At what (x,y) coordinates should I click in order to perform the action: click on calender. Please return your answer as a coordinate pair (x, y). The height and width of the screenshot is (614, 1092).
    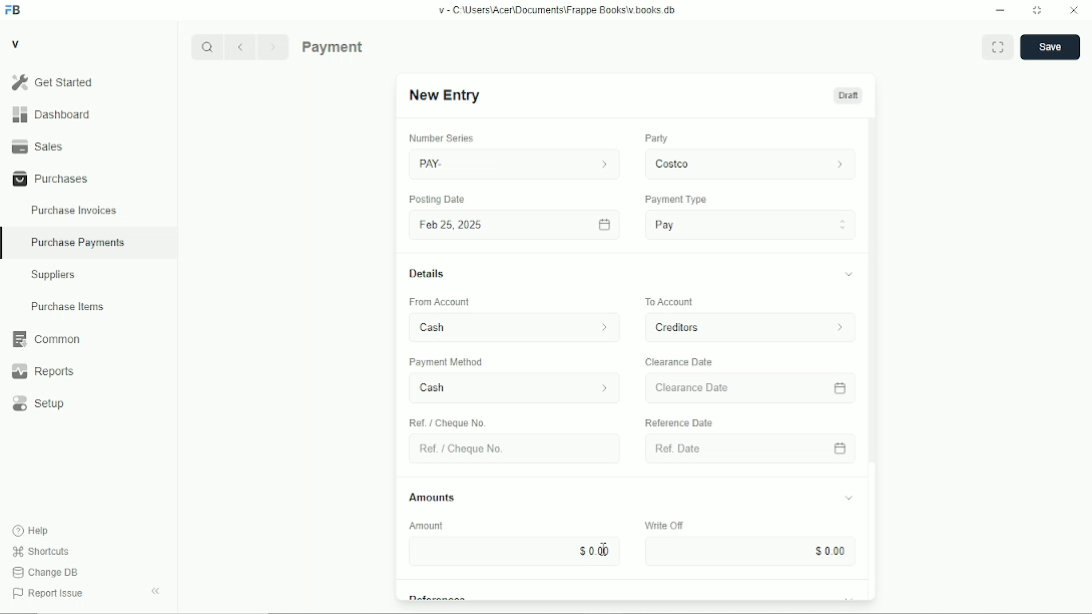
    Looking at the image, I should click on (842, 448).